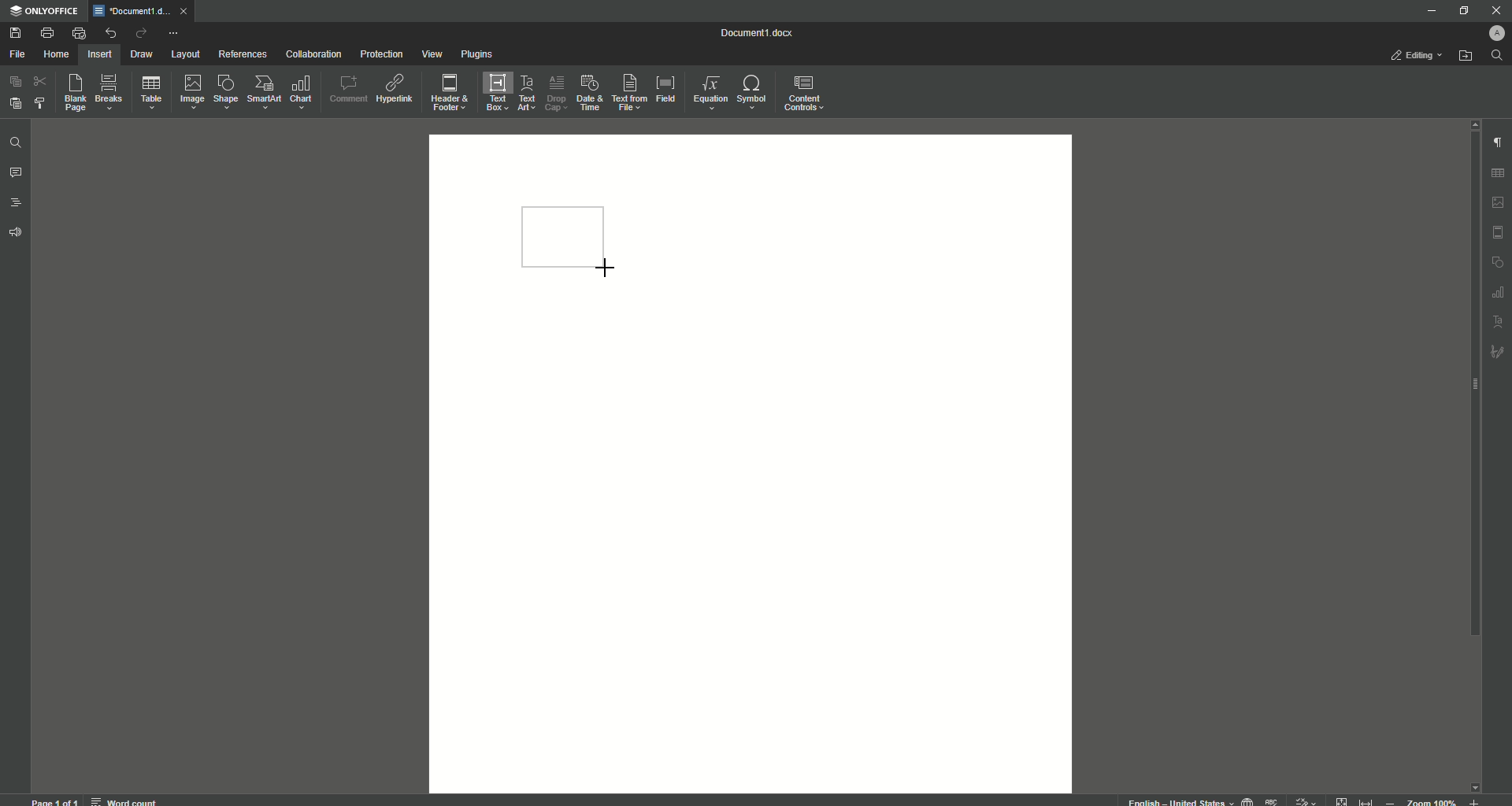 The height and width of the screenshot is (806, 1512). I want to click on text language, so click(1173, 800).